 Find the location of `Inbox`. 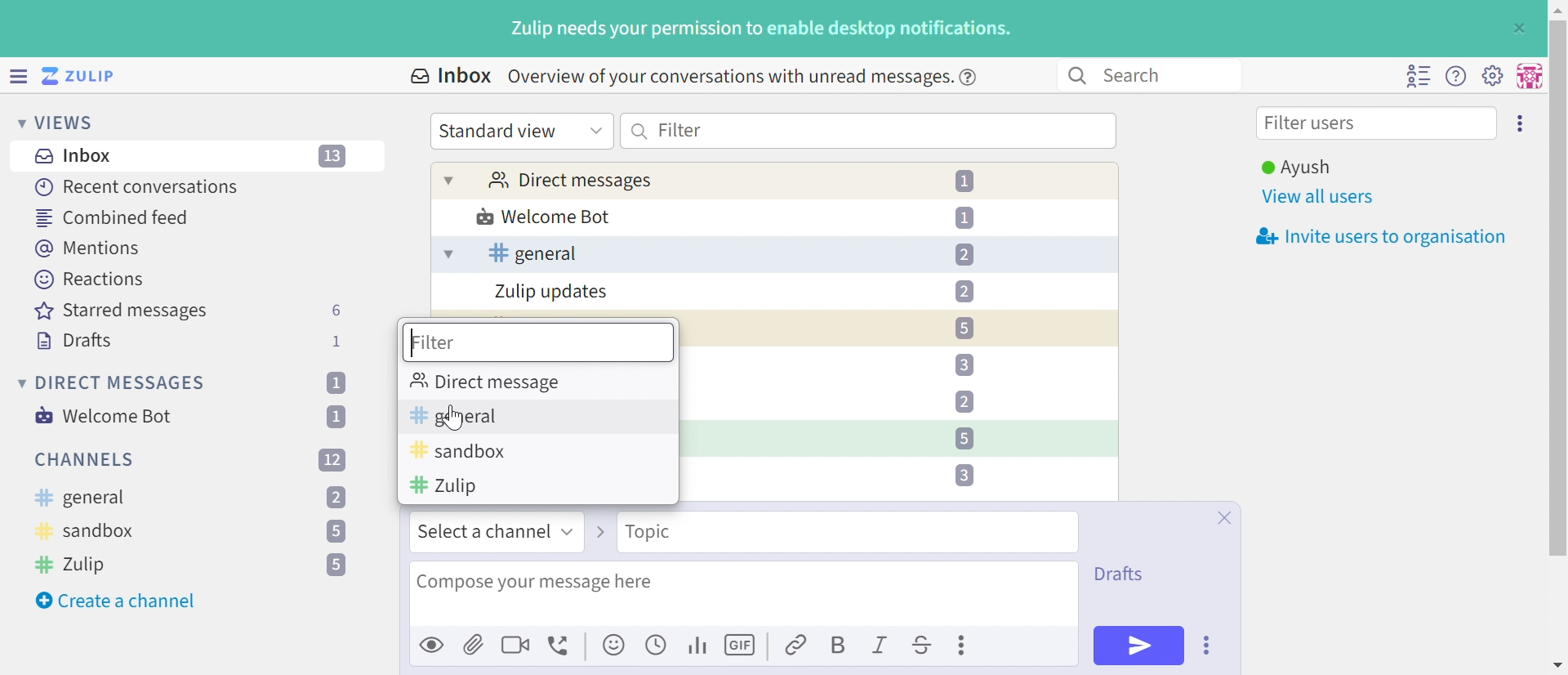

Inbox is located at coordinates (78, 156).